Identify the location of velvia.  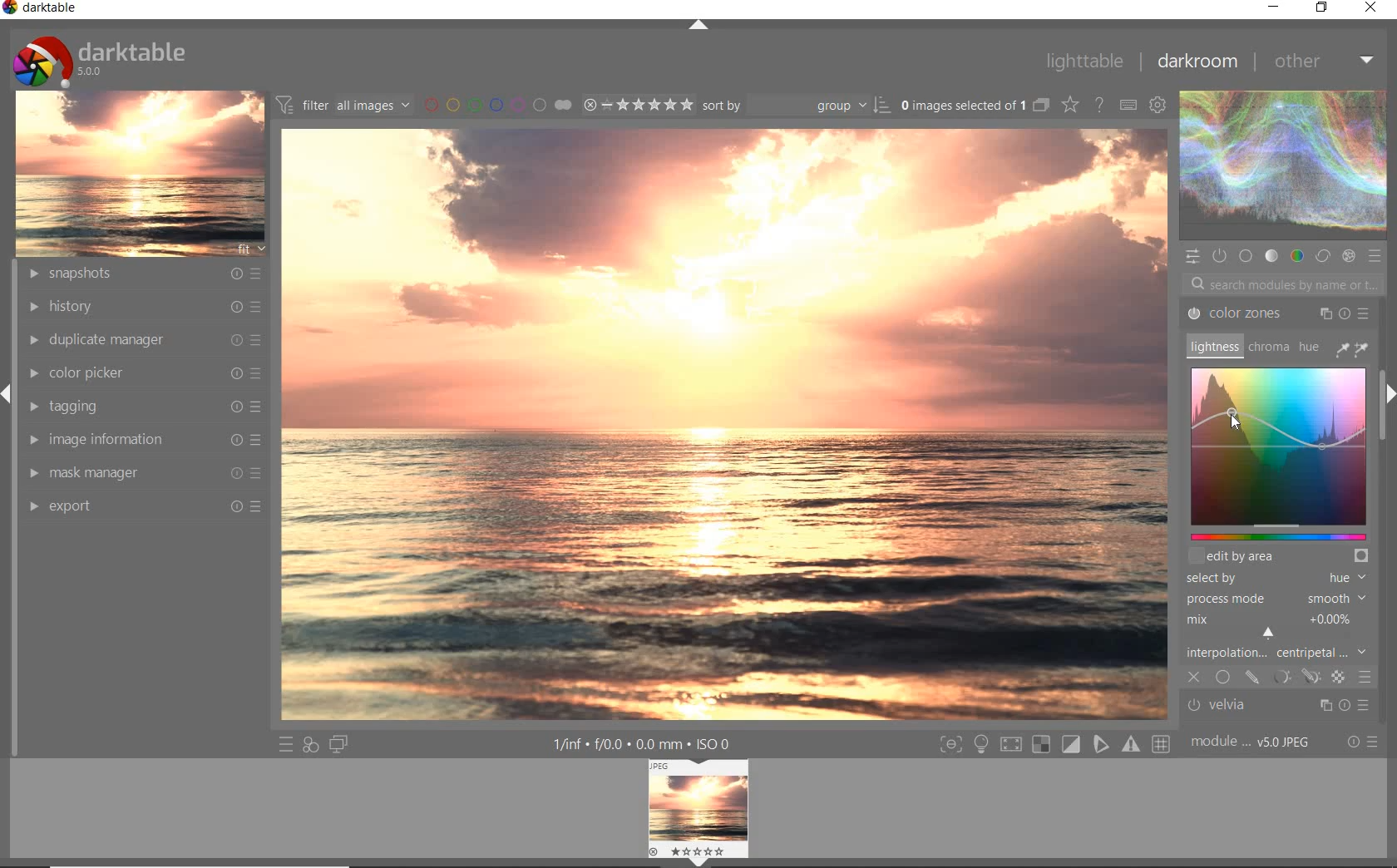
(1273, 707).